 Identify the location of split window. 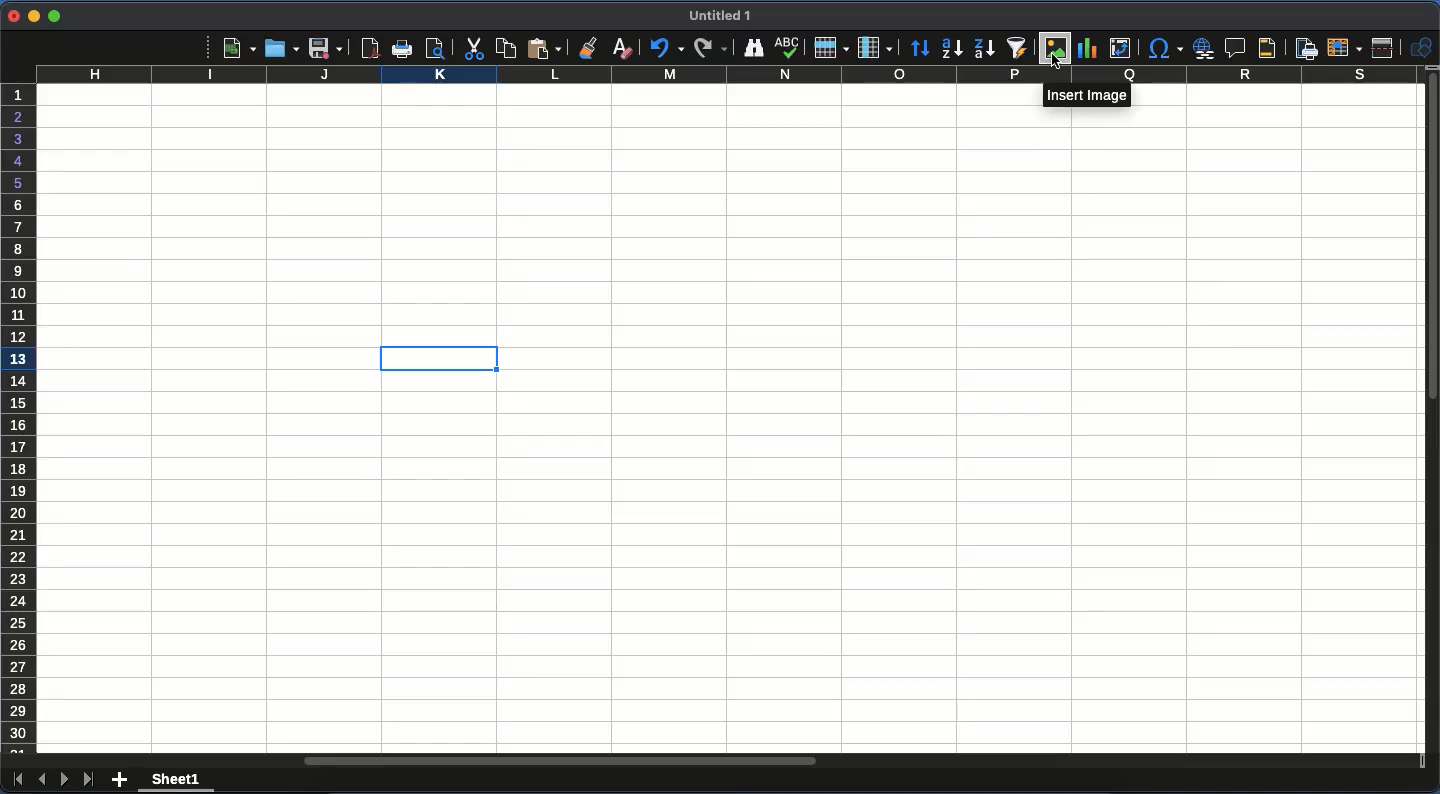
(1385, 49).